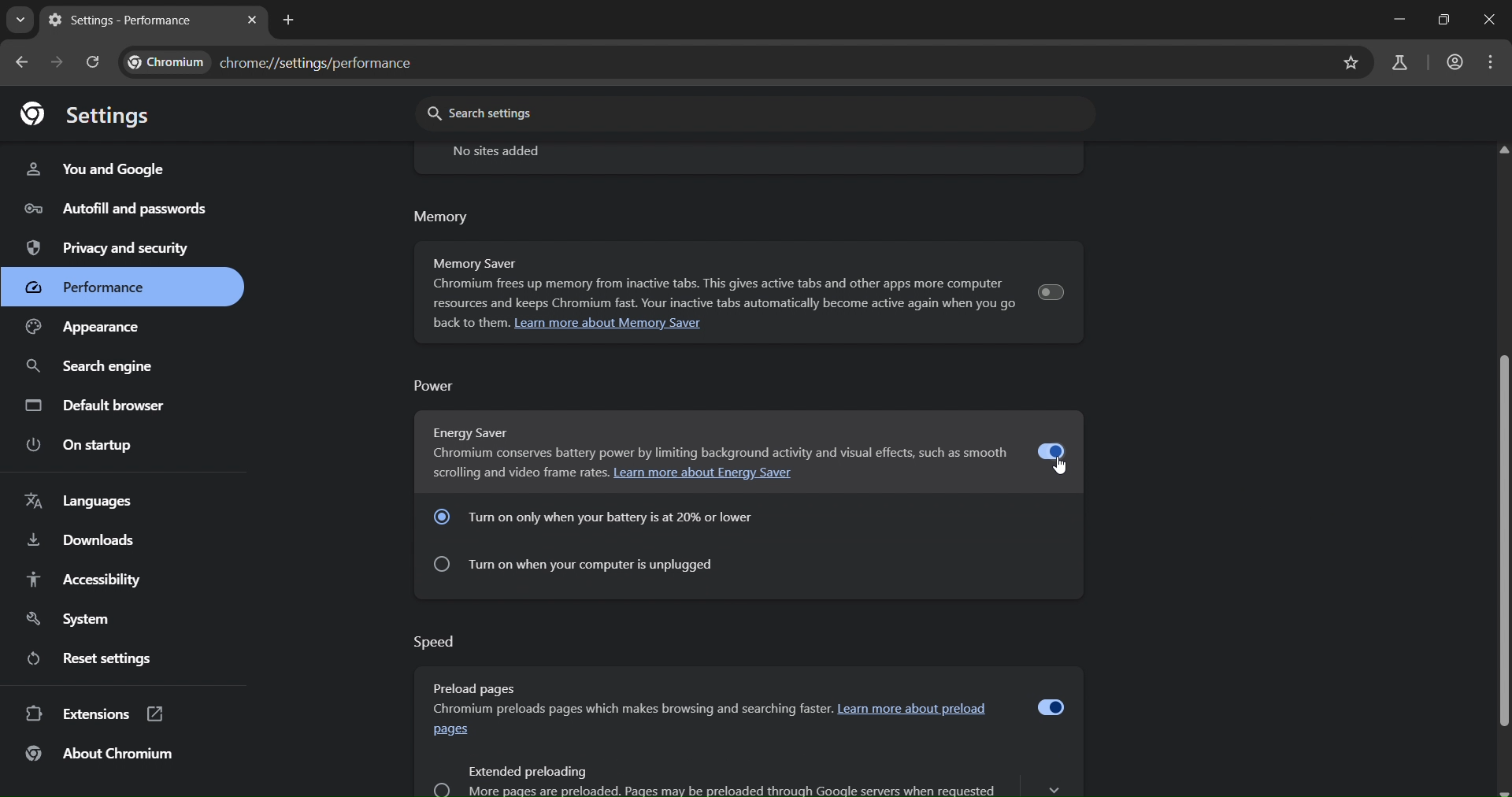 The image size is (1512, 797). What do you see at coordinates (91, 445) in the screenshot?
I see `on startup` at bounding box center [91, 445].